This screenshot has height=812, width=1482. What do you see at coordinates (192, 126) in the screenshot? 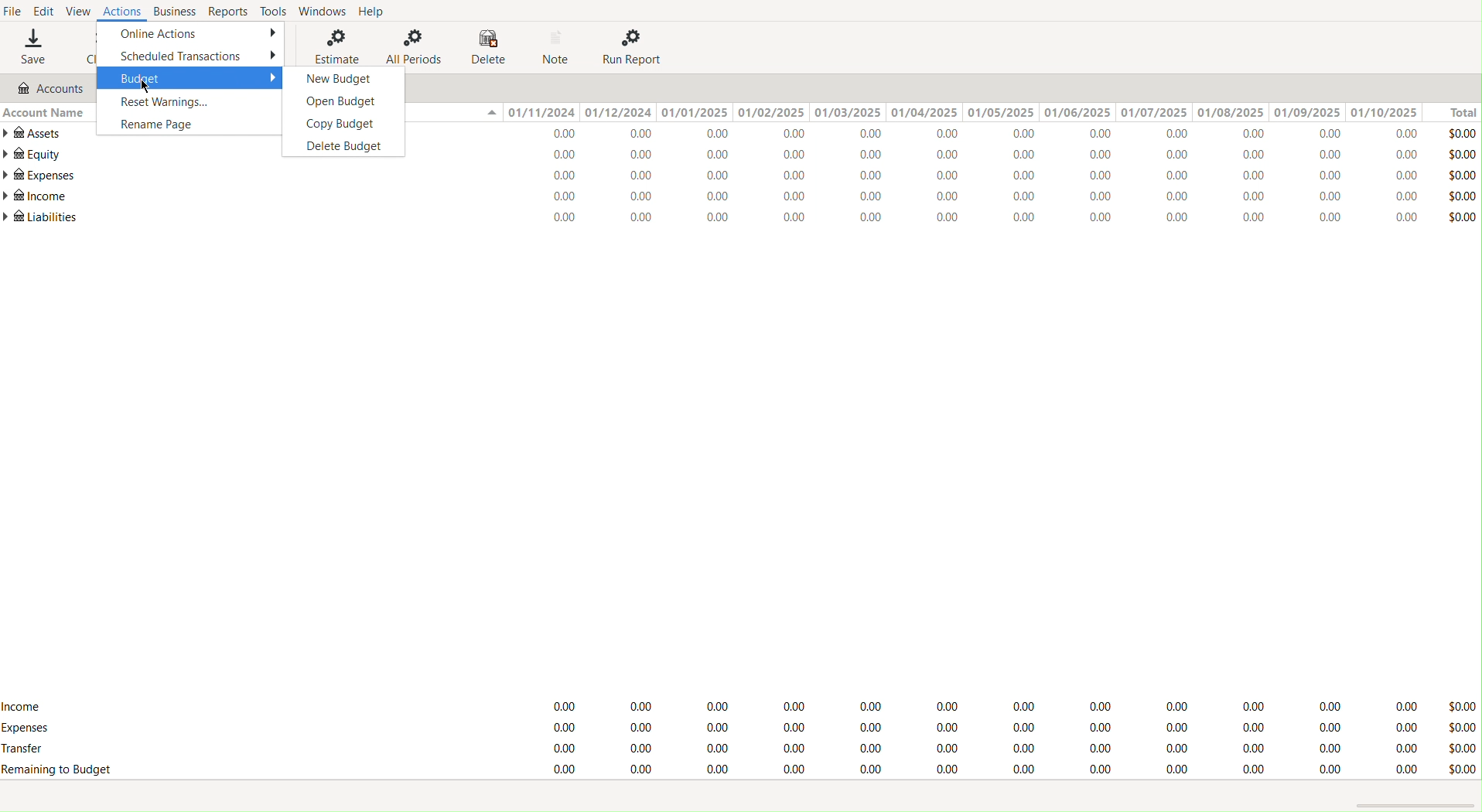
I see `Rename Page` at bounding box center [192, 126].